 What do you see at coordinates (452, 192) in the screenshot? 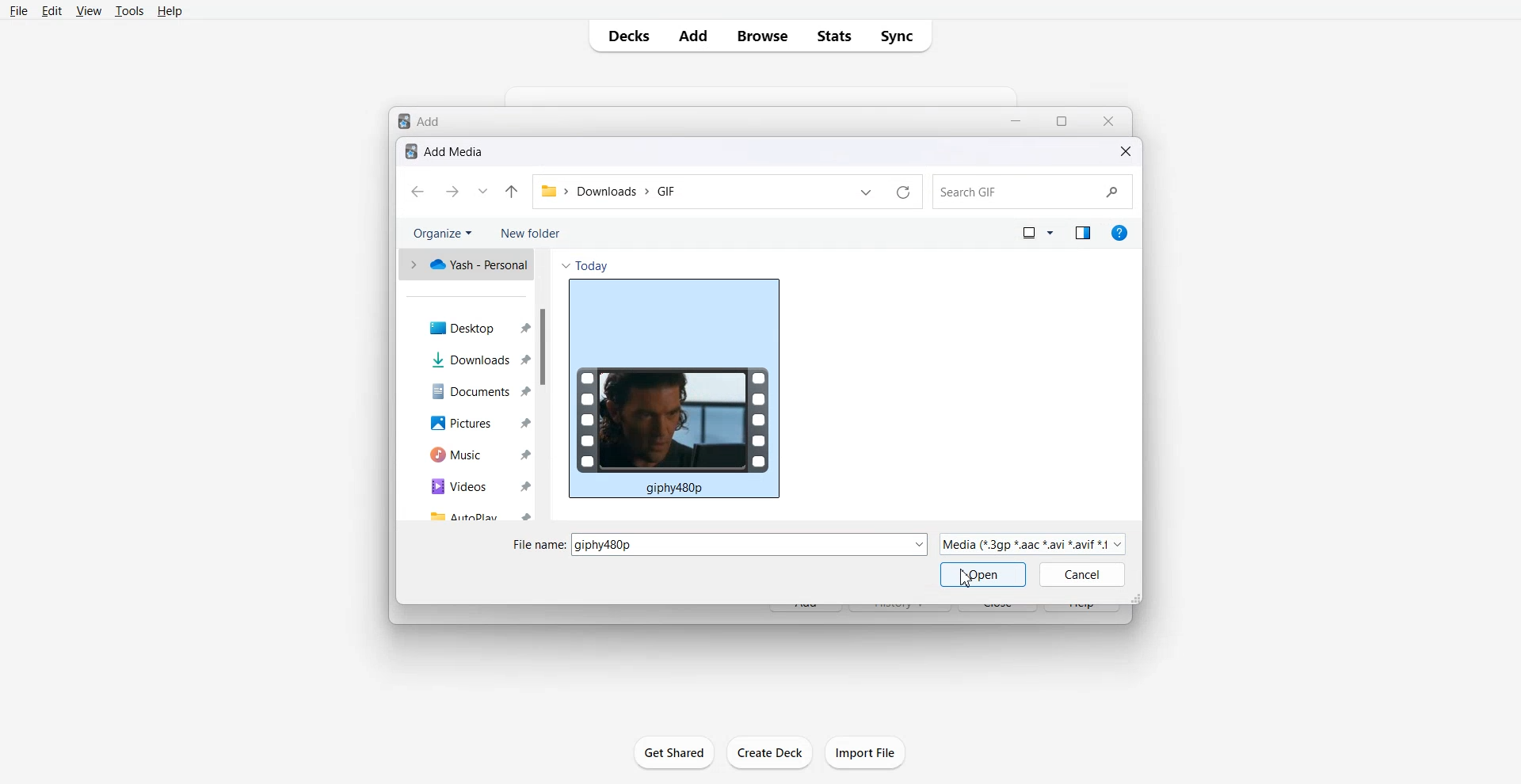
I see `Go forward` at bounding box center [452, 192].